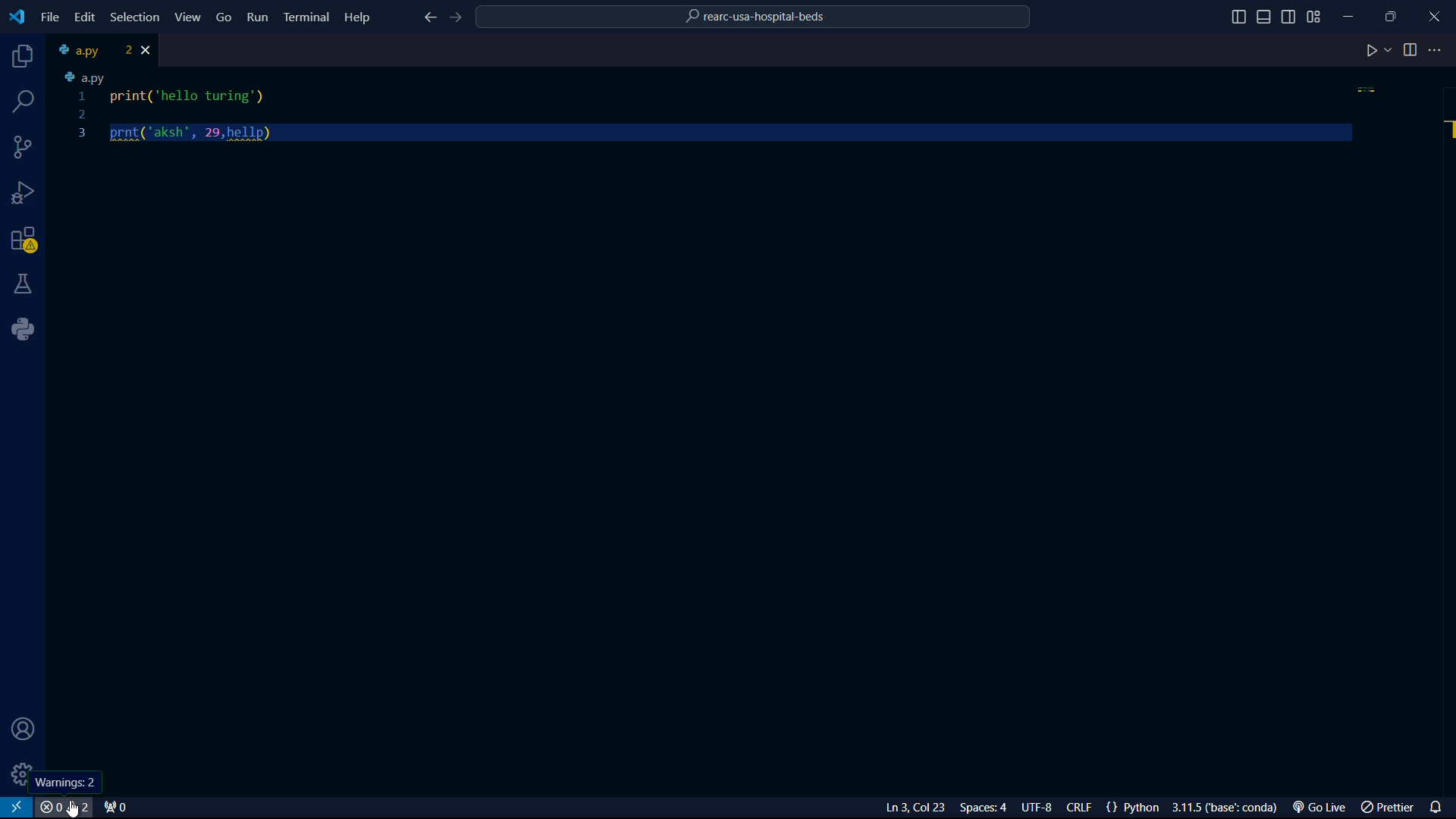 The width and height of the screenshot is (1456, 819). I want to click on toggle sidebar, so click(1266, 17).